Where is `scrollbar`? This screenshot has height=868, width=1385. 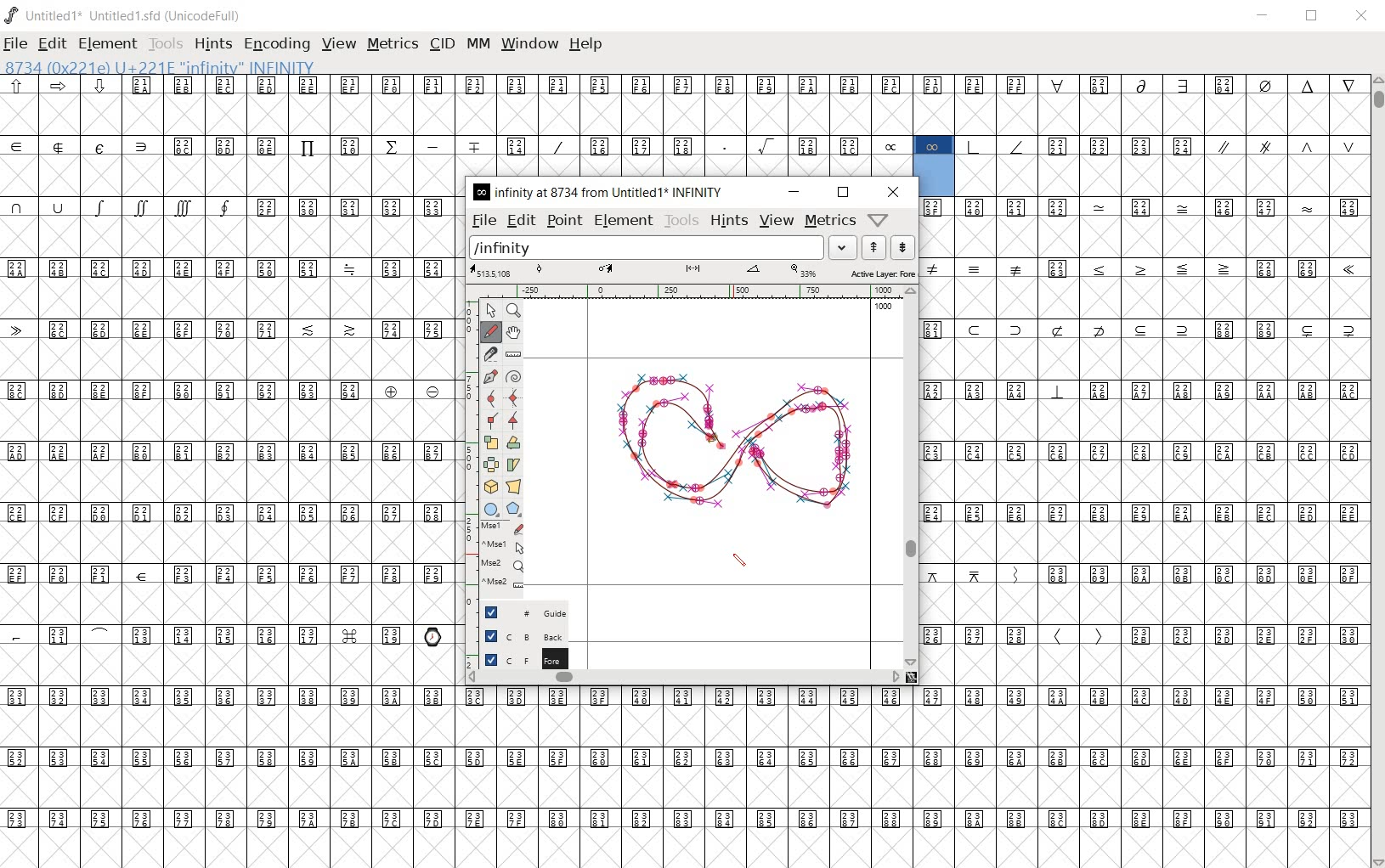 scrollbar is located at coordinates (914, 476).